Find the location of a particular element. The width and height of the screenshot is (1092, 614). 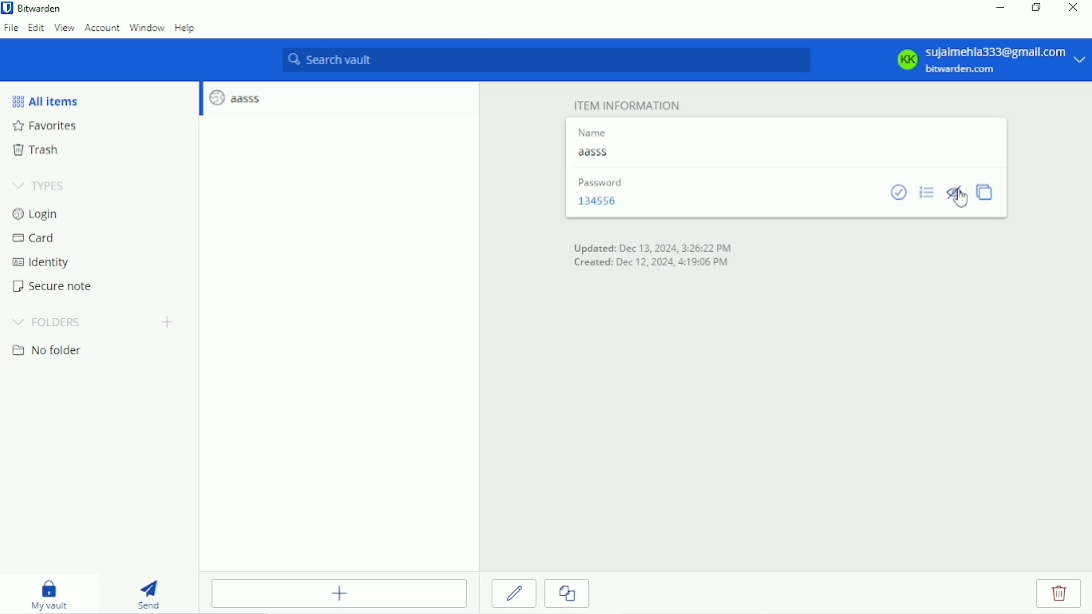

Secure note is located at coordinates (55, 287).